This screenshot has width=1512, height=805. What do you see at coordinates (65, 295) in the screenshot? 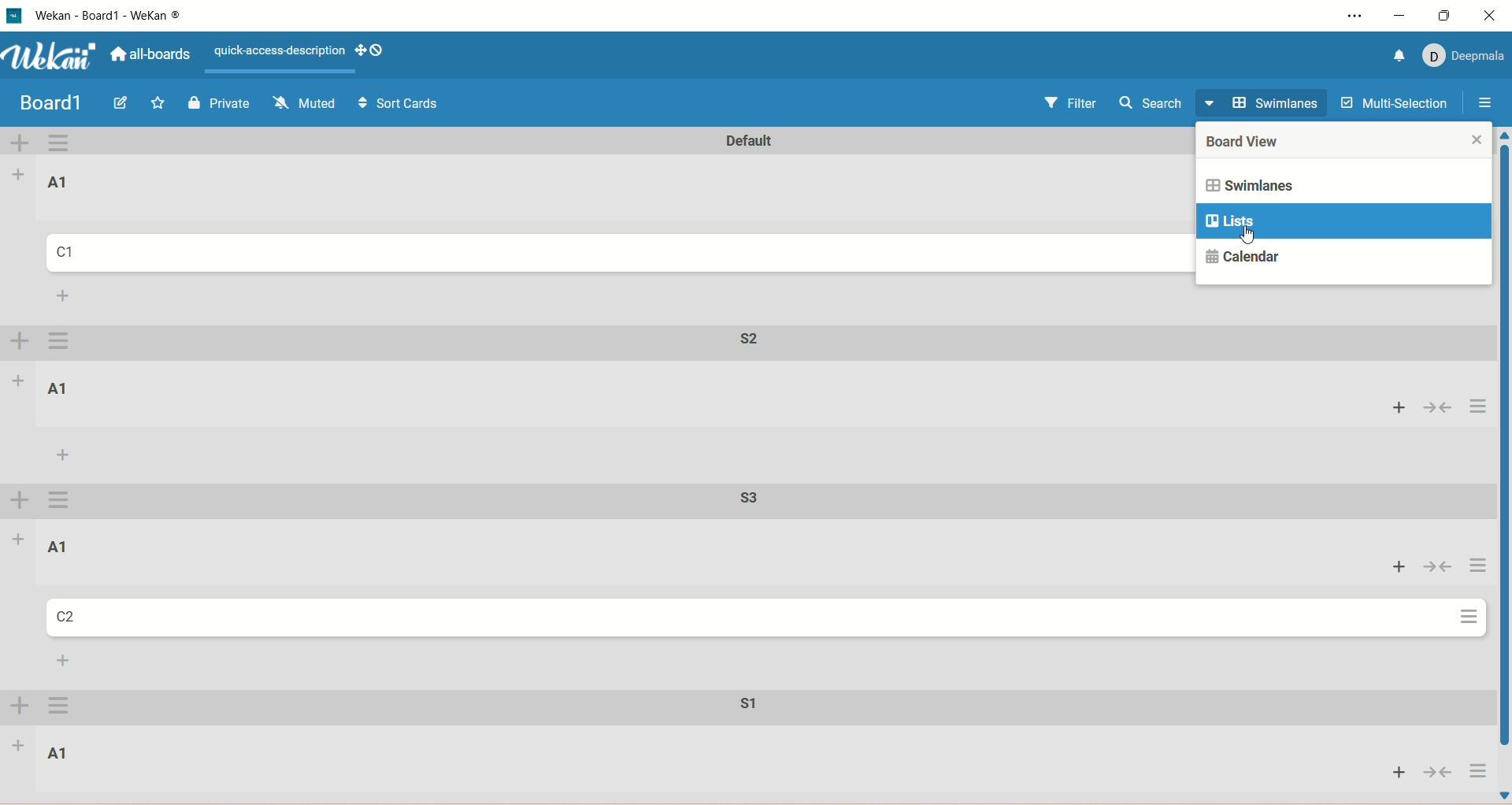
I see `add` at bounding box center [65, 295].